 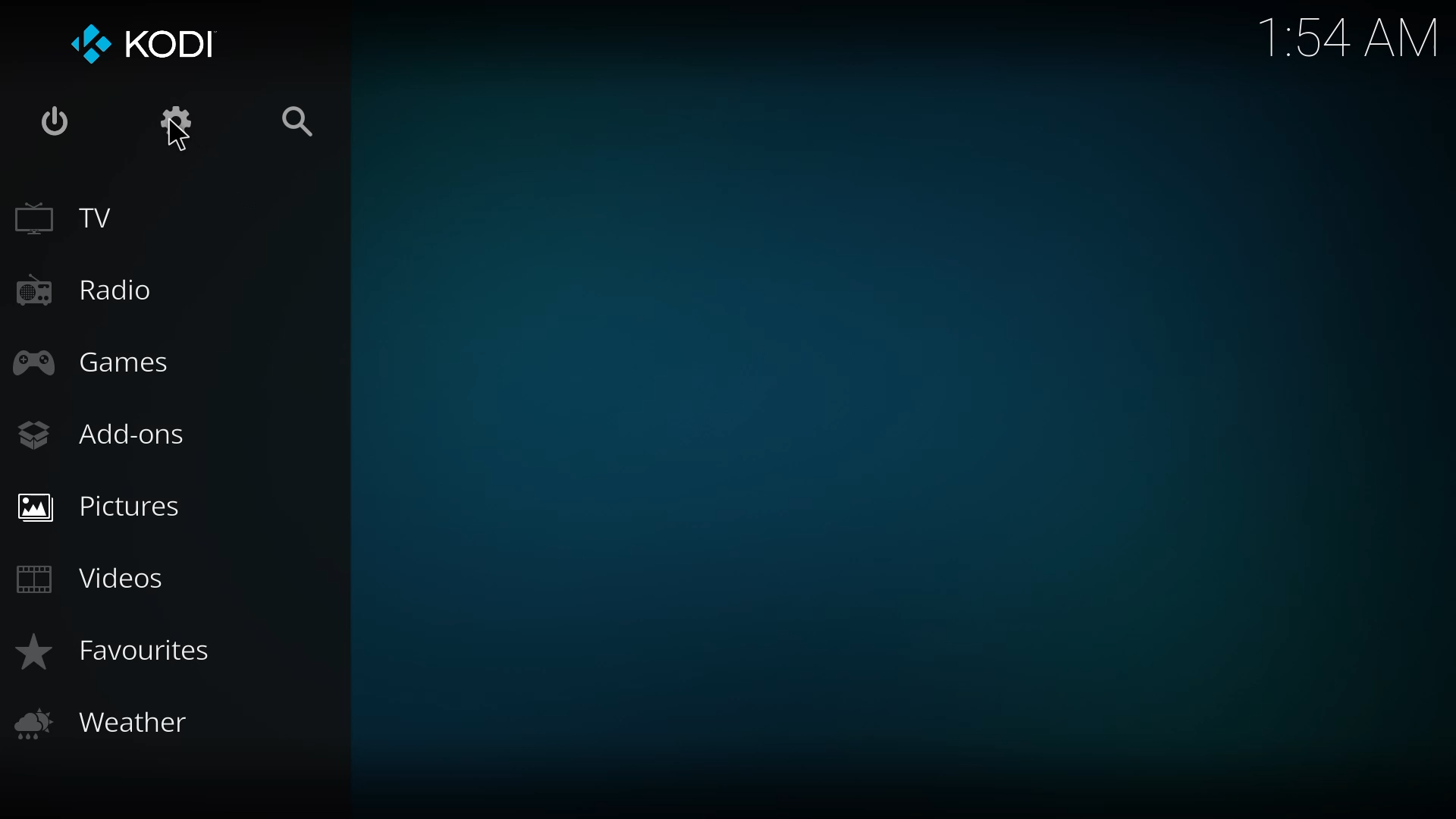 I want to click on kodi, so click(x=146, y=45).